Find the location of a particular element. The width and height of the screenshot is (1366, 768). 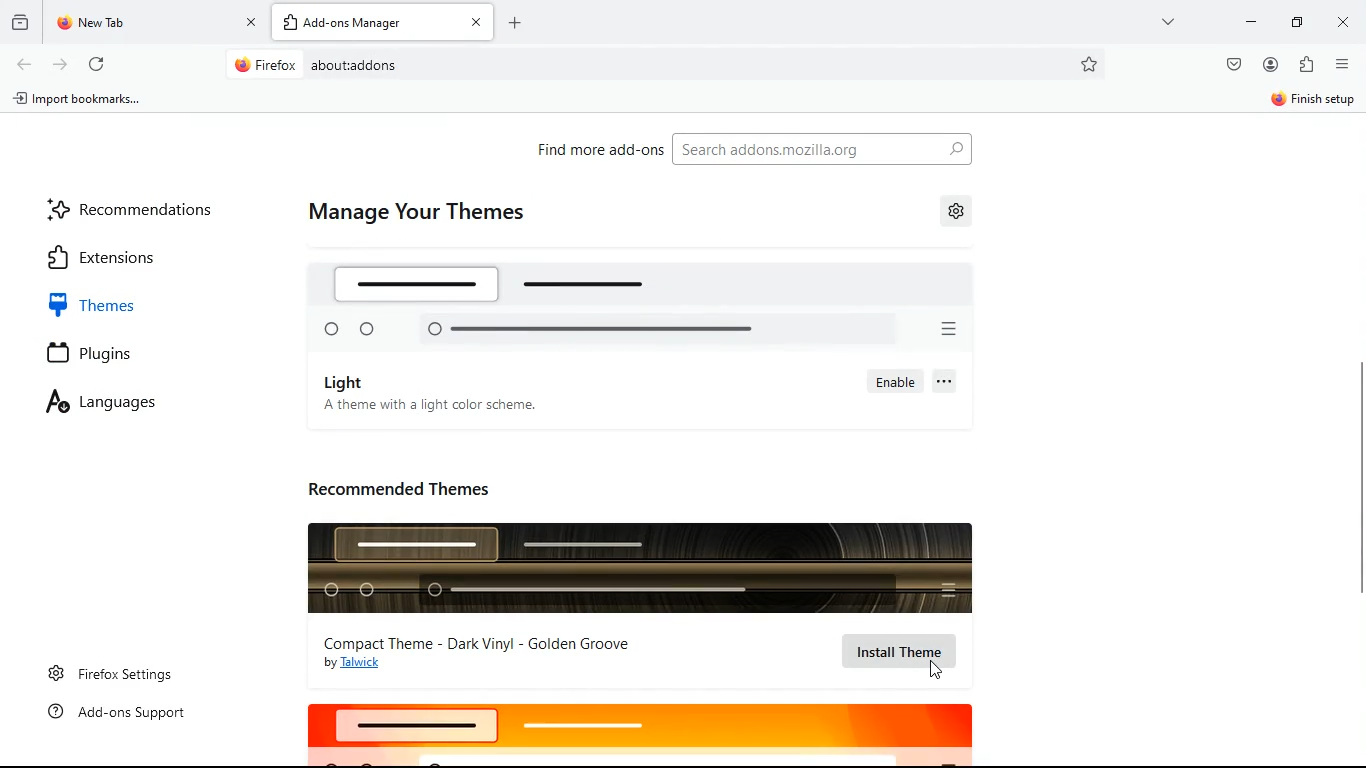

more is located at coordinates (1170, 22).